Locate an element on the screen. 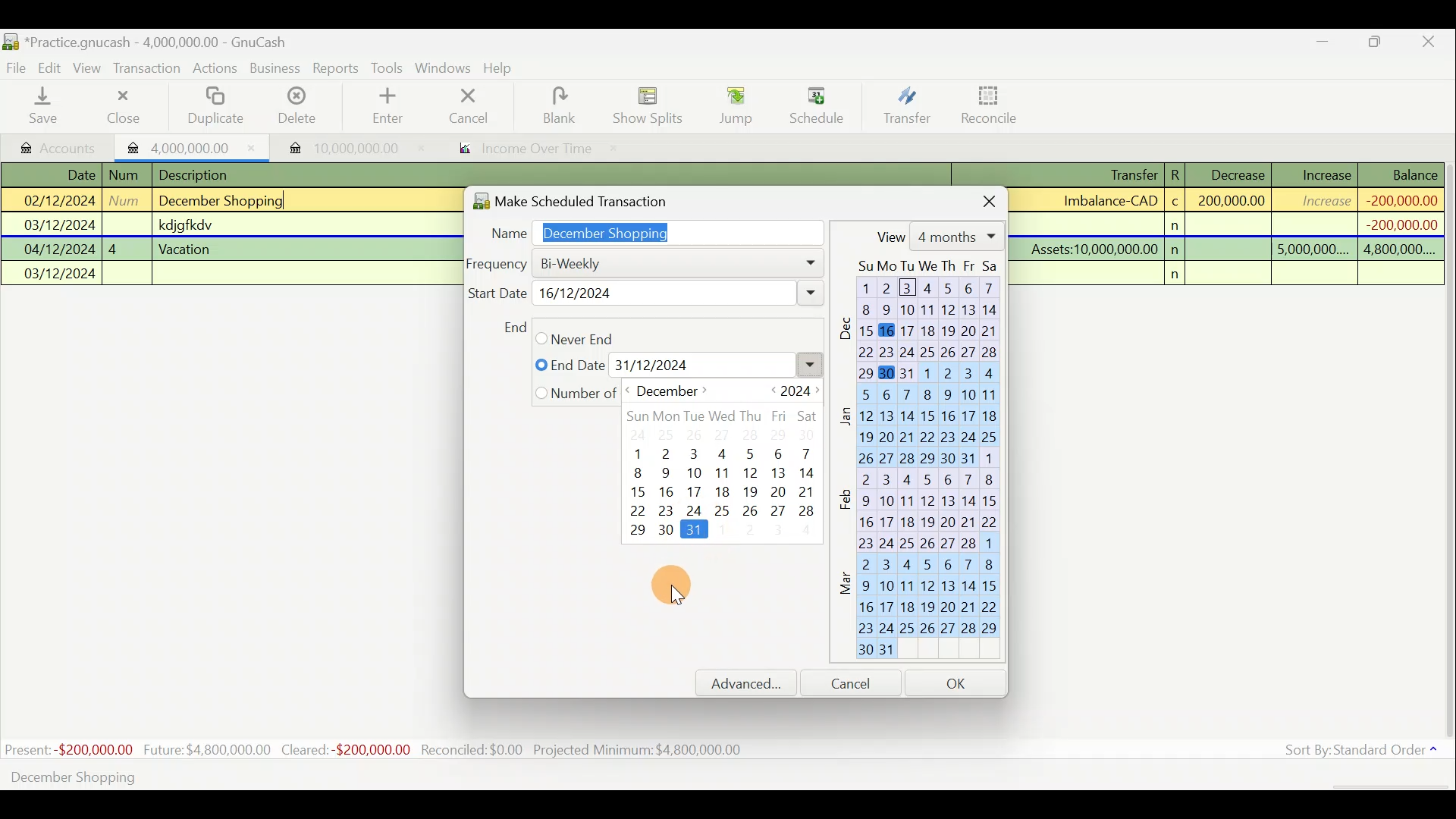 This screenshot has height=819, width=1456. Cursor is located at coordinates (671, 588).